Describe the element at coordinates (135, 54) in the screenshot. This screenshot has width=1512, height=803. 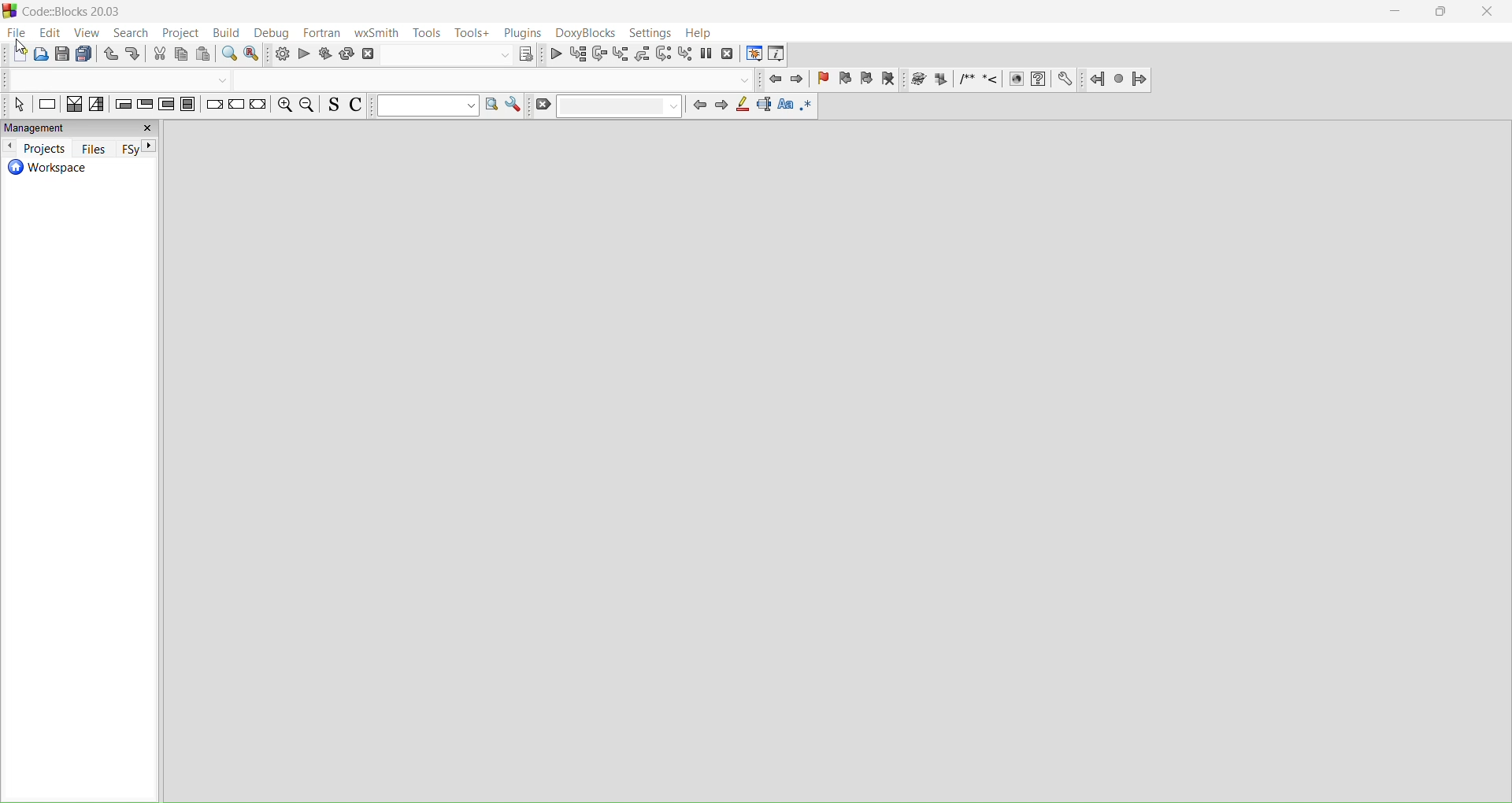
I see `redo` at that location.